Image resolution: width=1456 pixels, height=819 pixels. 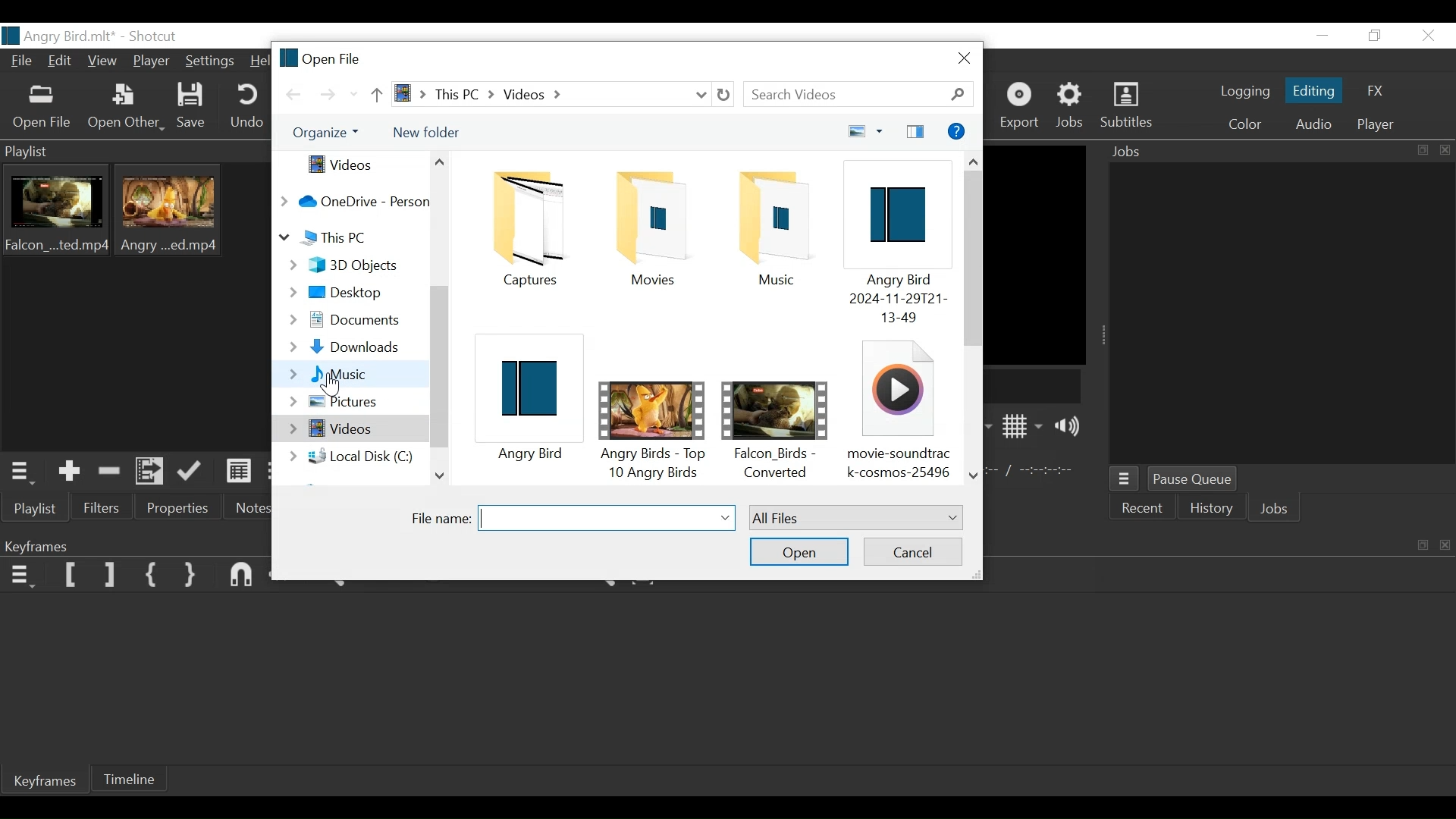 I want to click on Organize, so click(x=326, y=133).